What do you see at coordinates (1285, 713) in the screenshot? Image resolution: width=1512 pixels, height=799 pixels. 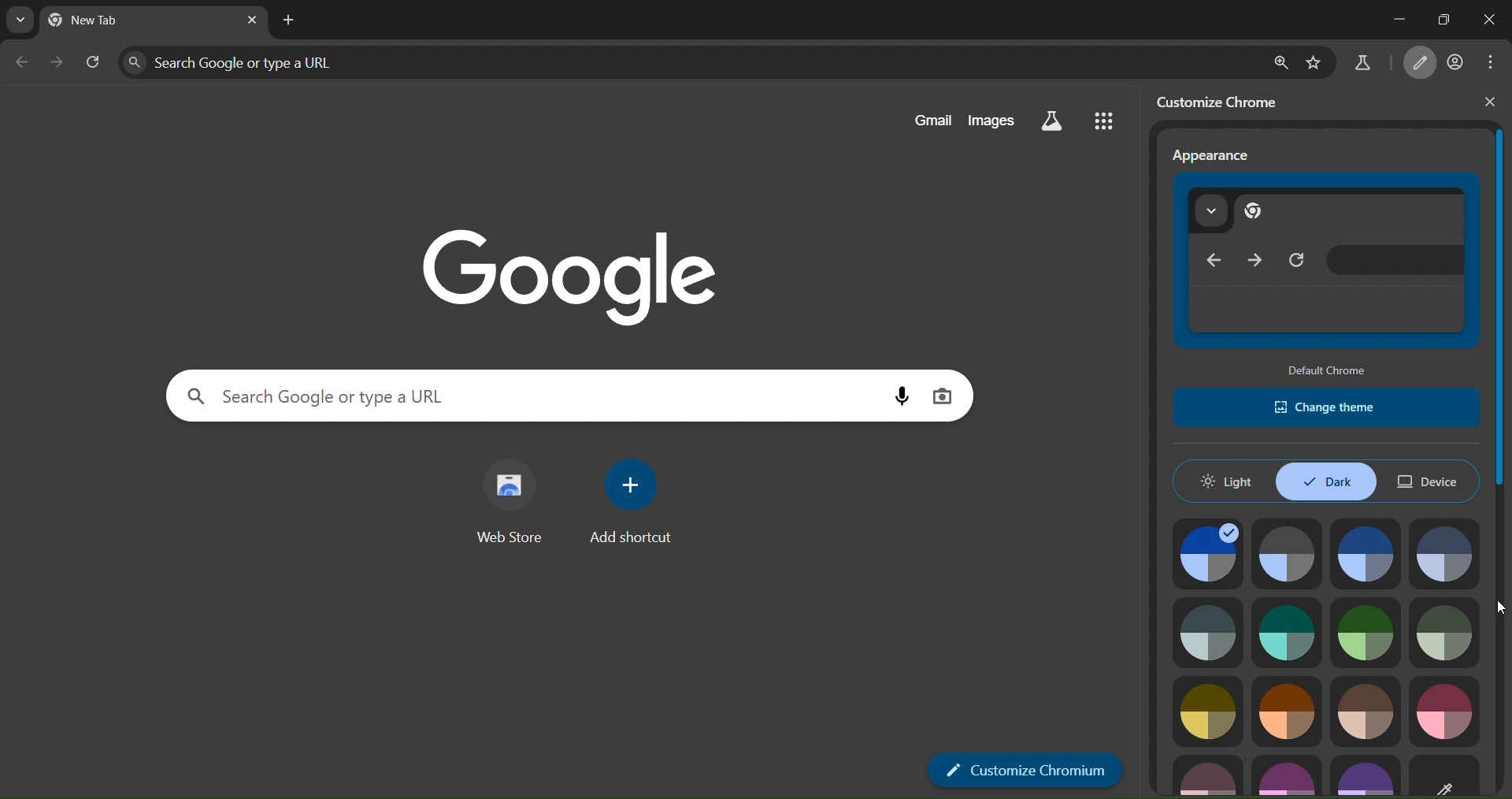 I see `theme` at bounding box center [1285, 713].